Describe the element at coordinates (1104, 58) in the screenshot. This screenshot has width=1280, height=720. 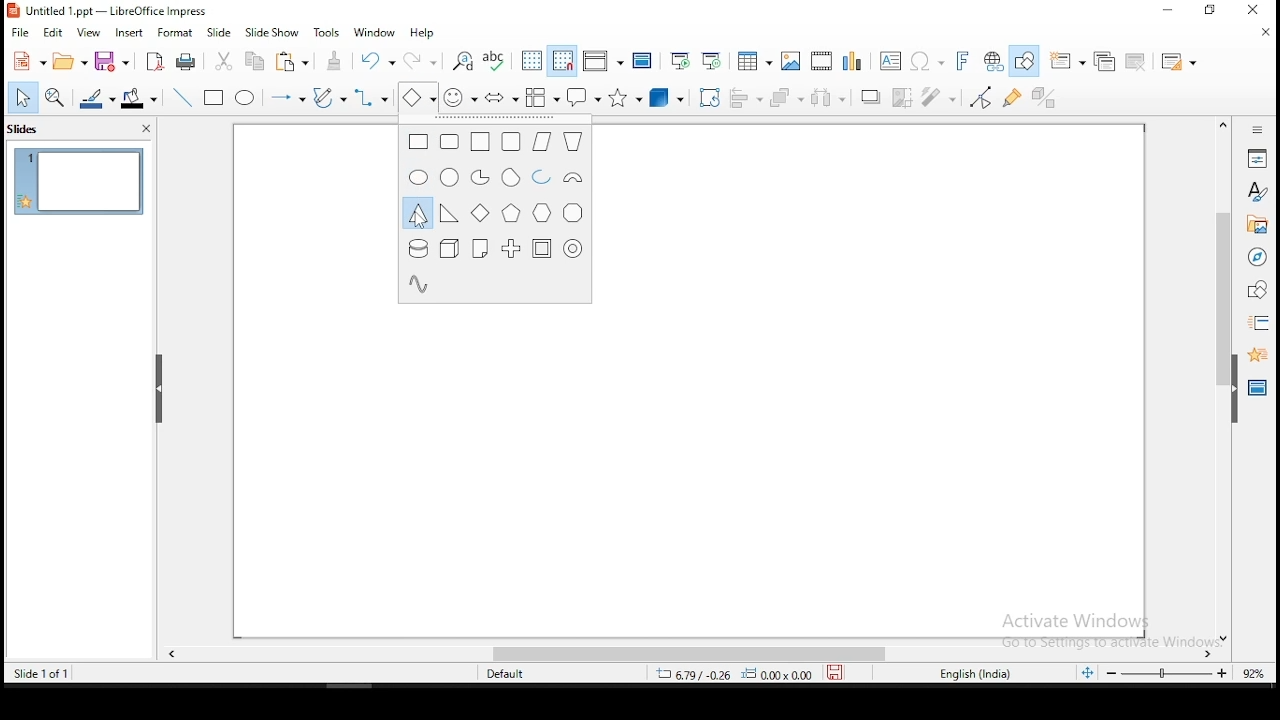
I see `duplicate slide` at that location.